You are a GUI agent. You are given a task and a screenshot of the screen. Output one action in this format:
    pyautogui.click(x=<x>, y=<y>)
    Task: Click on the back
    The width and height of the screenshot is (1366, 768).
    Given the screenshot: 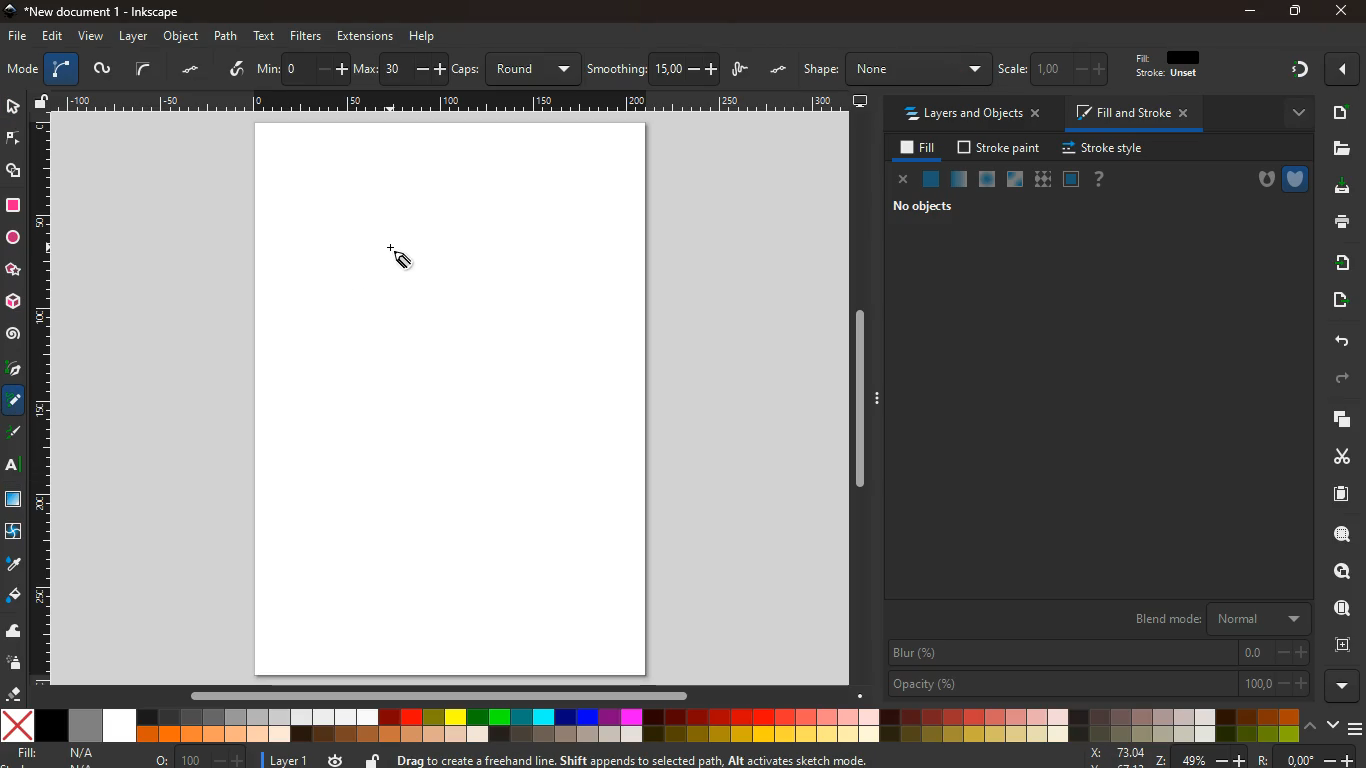 What is the action you would take?
    pyautogui.click(x=1339, y=342)
    